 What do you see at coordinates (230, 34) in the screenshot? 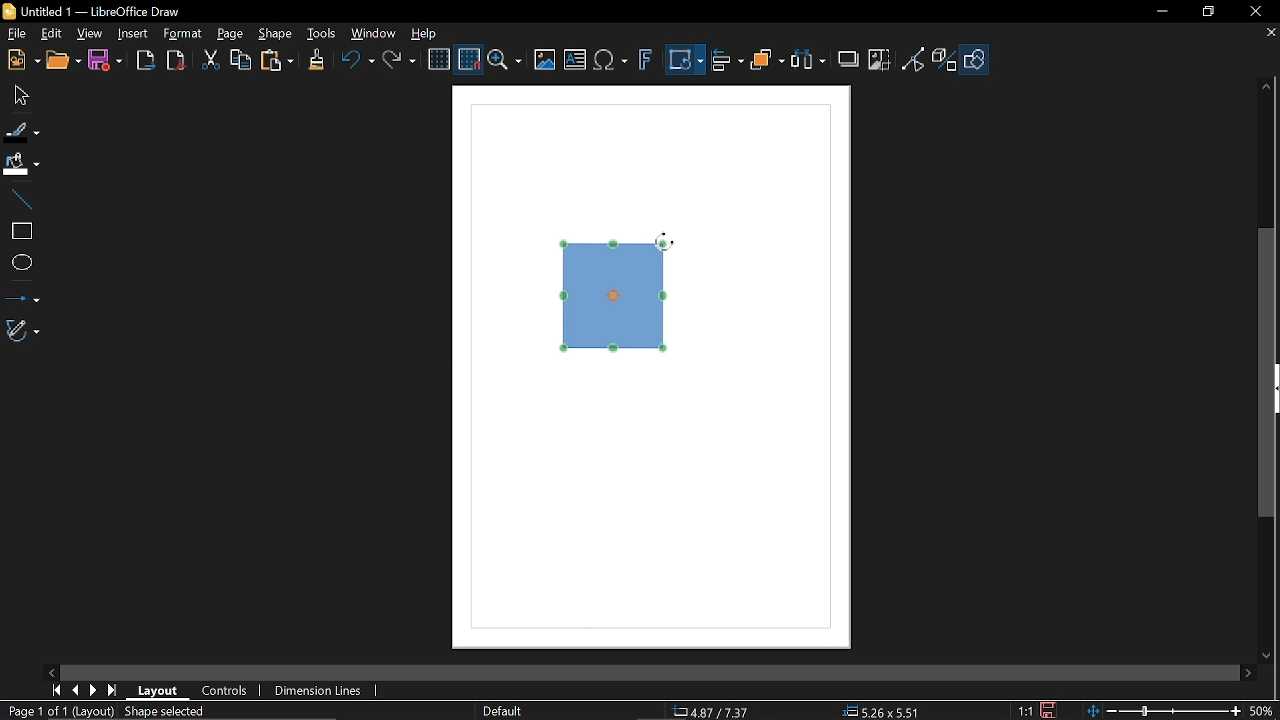
I see `Page` at bounding box center [230, 34].